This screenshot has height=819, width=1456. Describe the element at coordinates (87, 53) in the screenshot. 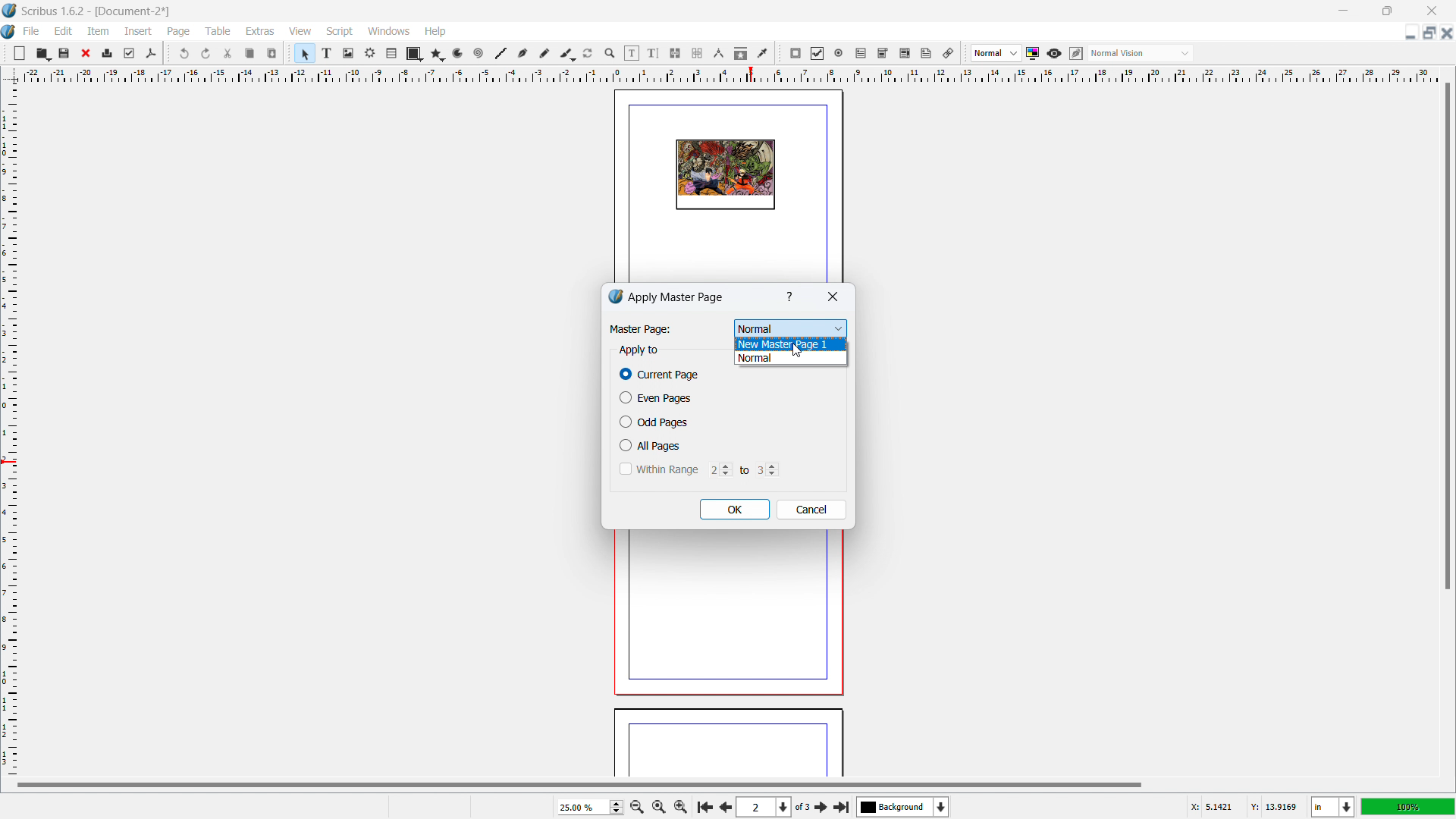

I see `close` at that location.